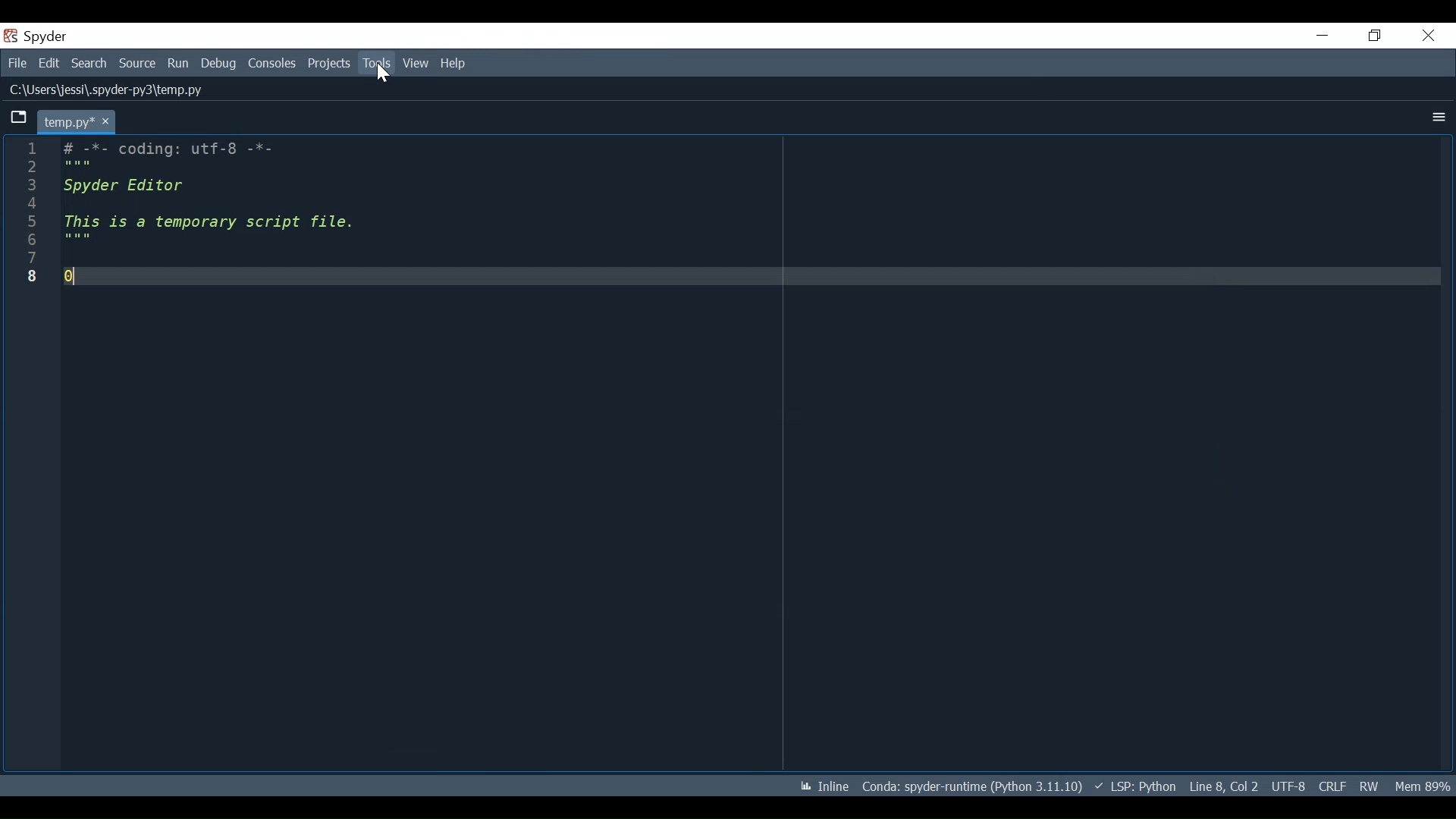  I want to click on Consoles, so click(272, 64).